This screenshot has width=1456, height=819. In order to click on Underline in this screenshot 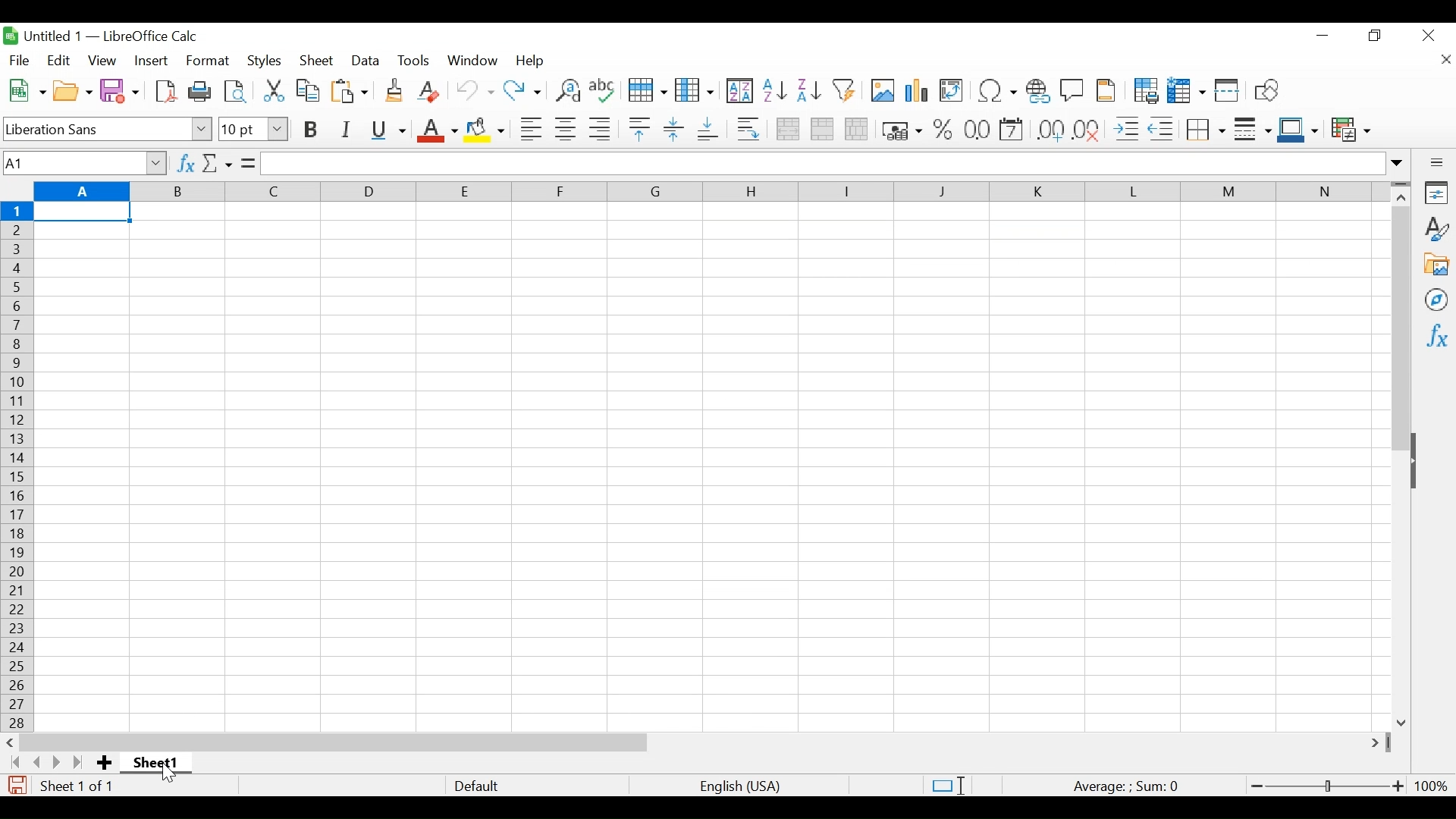, I will do `click(388, 130)`.